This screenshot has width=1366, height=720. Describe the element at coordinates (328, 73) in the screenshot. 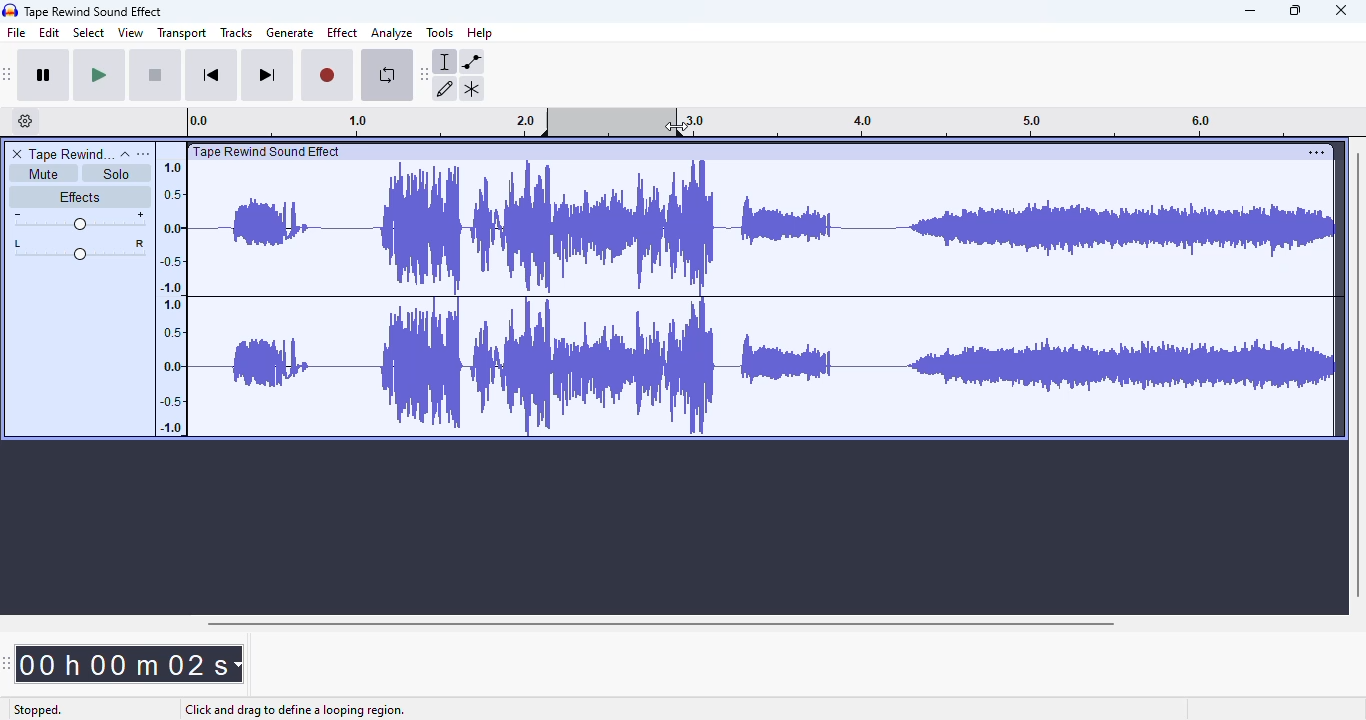

I see `record` at that location.